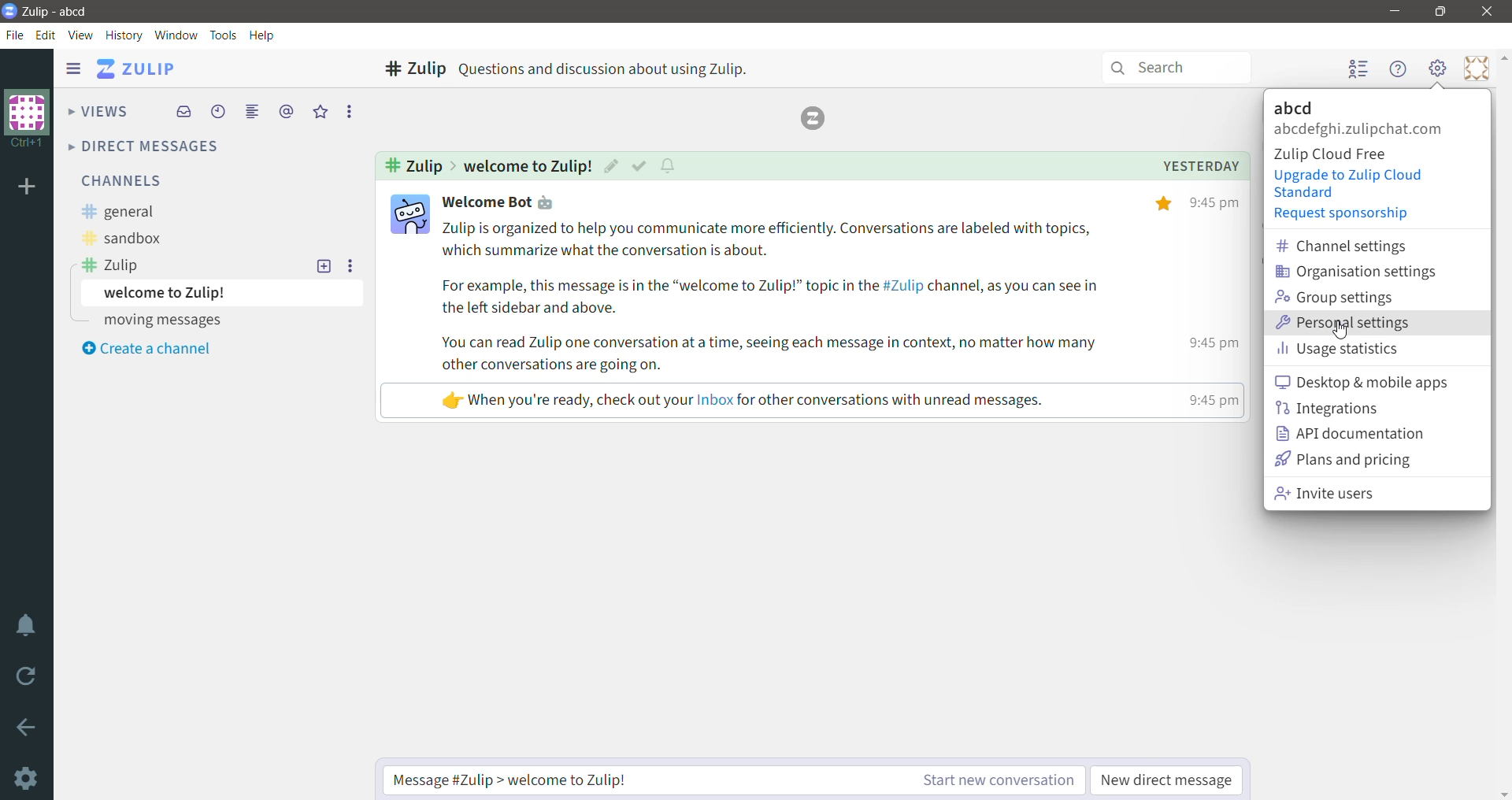 The height and width of the screenshot is (800, 1512). What do you see at coordinates (1338, 350) in the screenshot?
I see `Usage statistics` at bounding box center [1338, 350].